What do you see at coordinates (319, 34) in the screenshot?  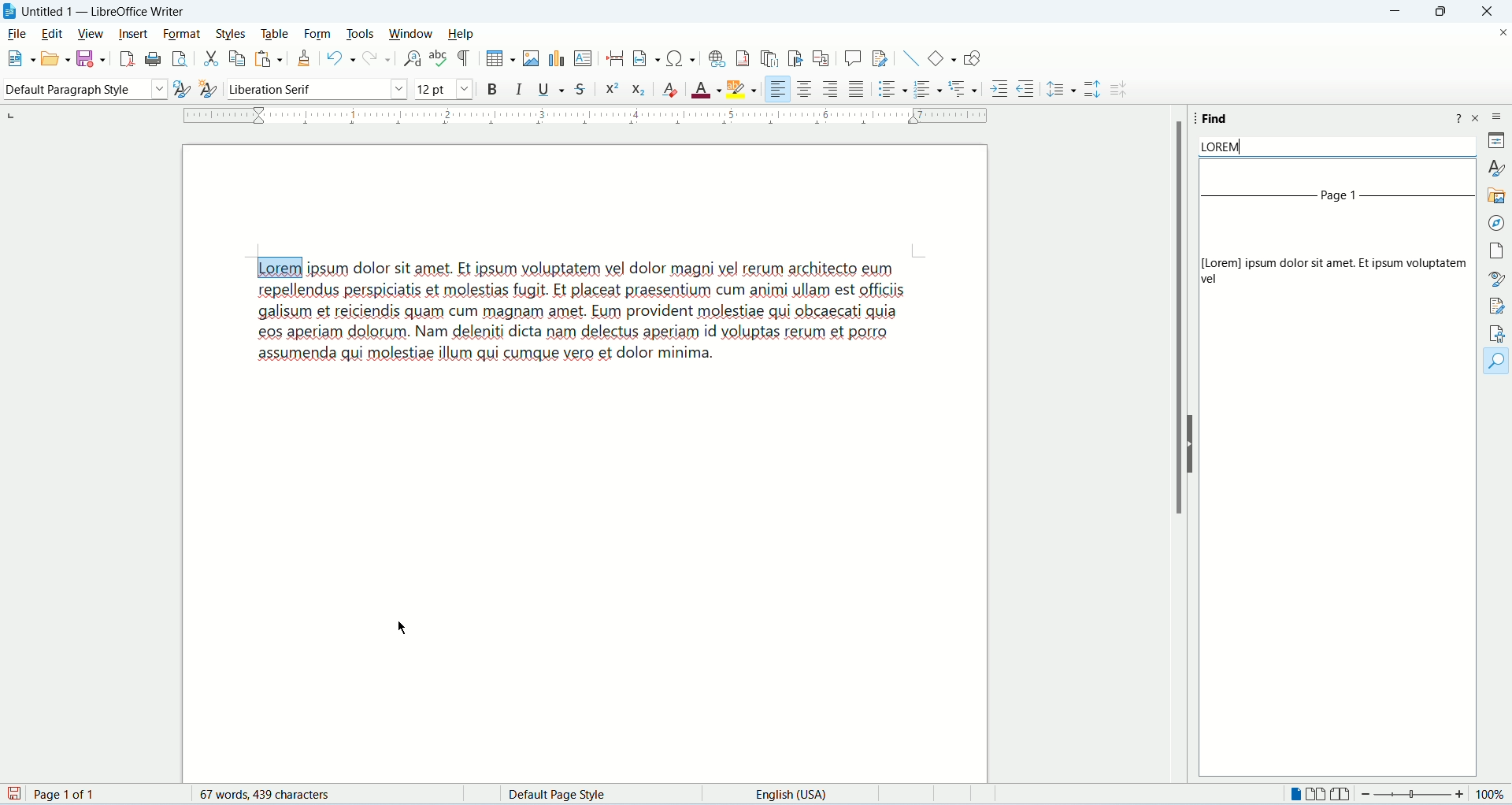 I see `form` at bounding box center [319, 34].